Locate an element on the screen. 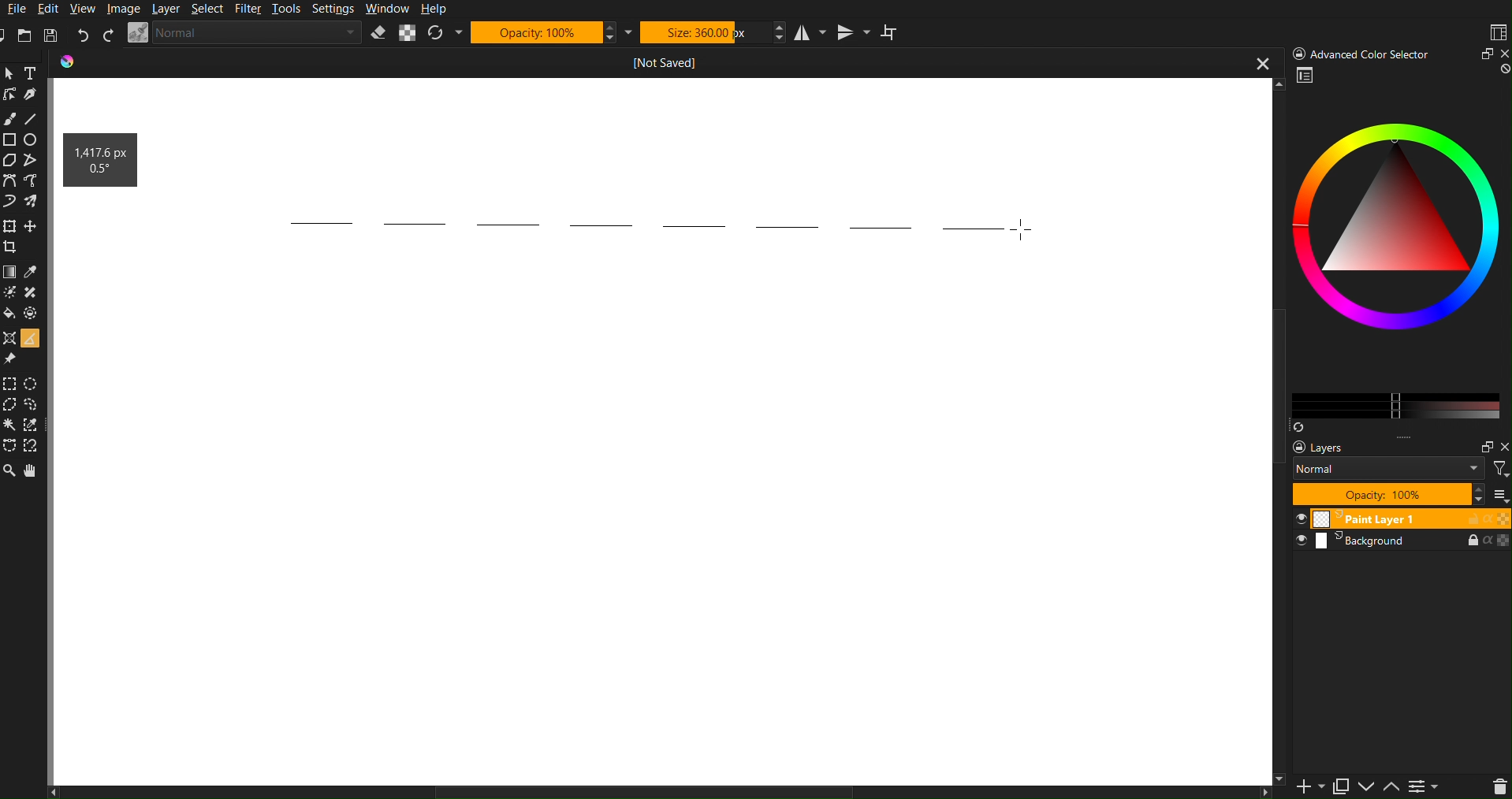 The height and width of the screenshot is (799, 1512). Vertical Mirror is located at coordinates (851, 33).